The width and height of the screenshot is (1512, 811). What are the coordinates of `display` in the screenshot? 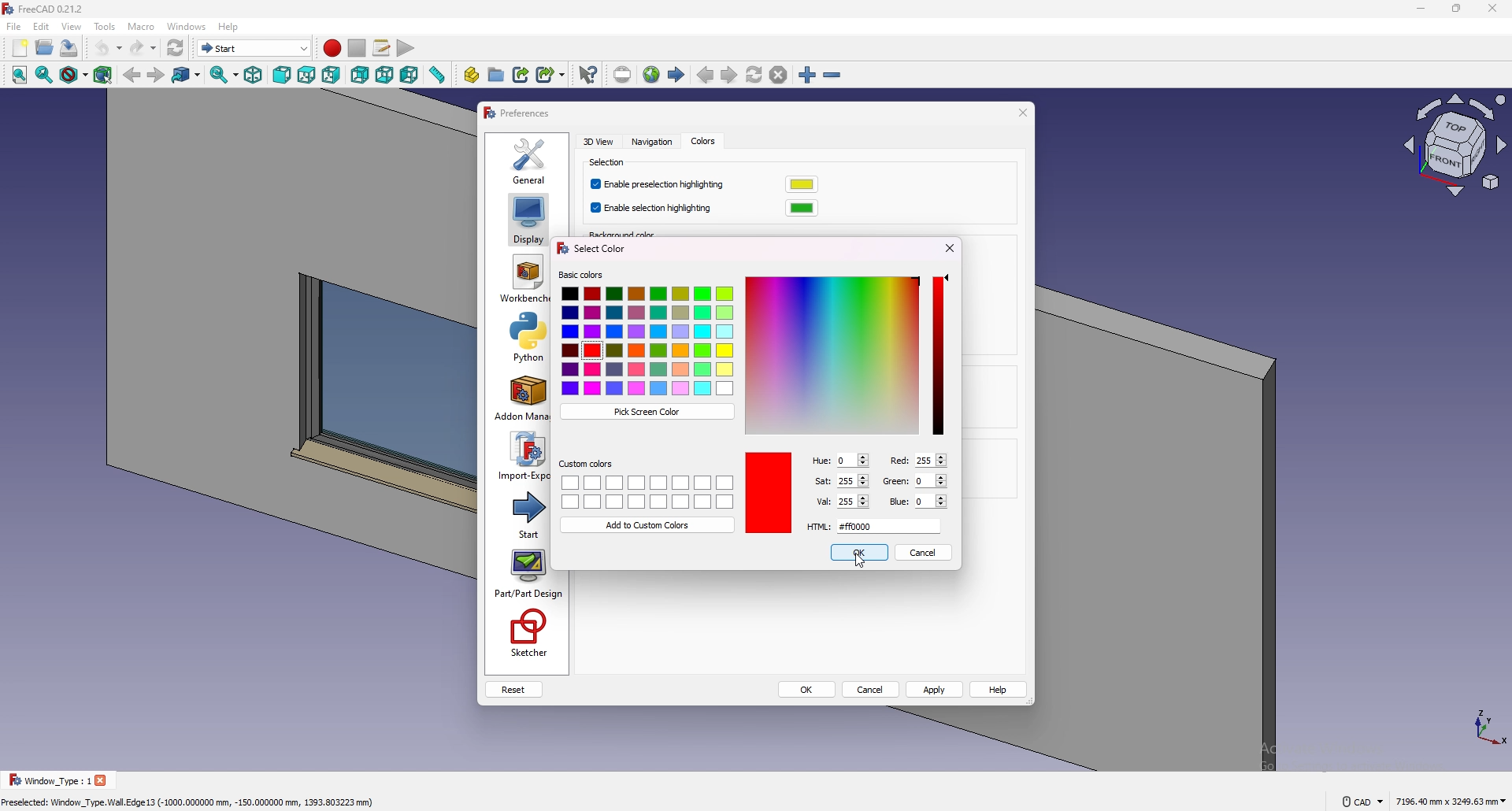 It's located at (528, 219).